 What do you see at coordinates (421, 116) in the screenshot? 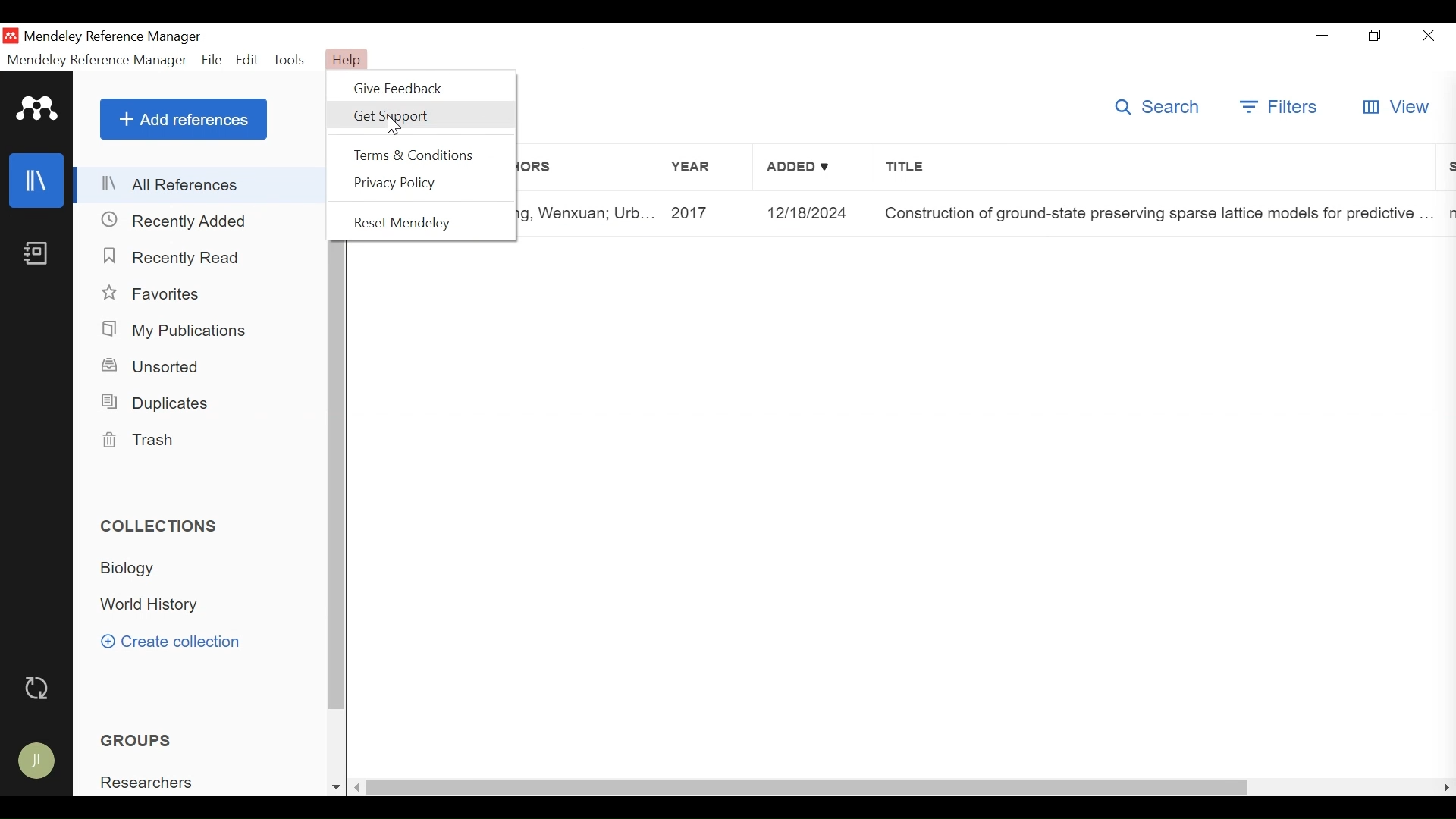
I see `Get Support` at bounding box center [421, 116].